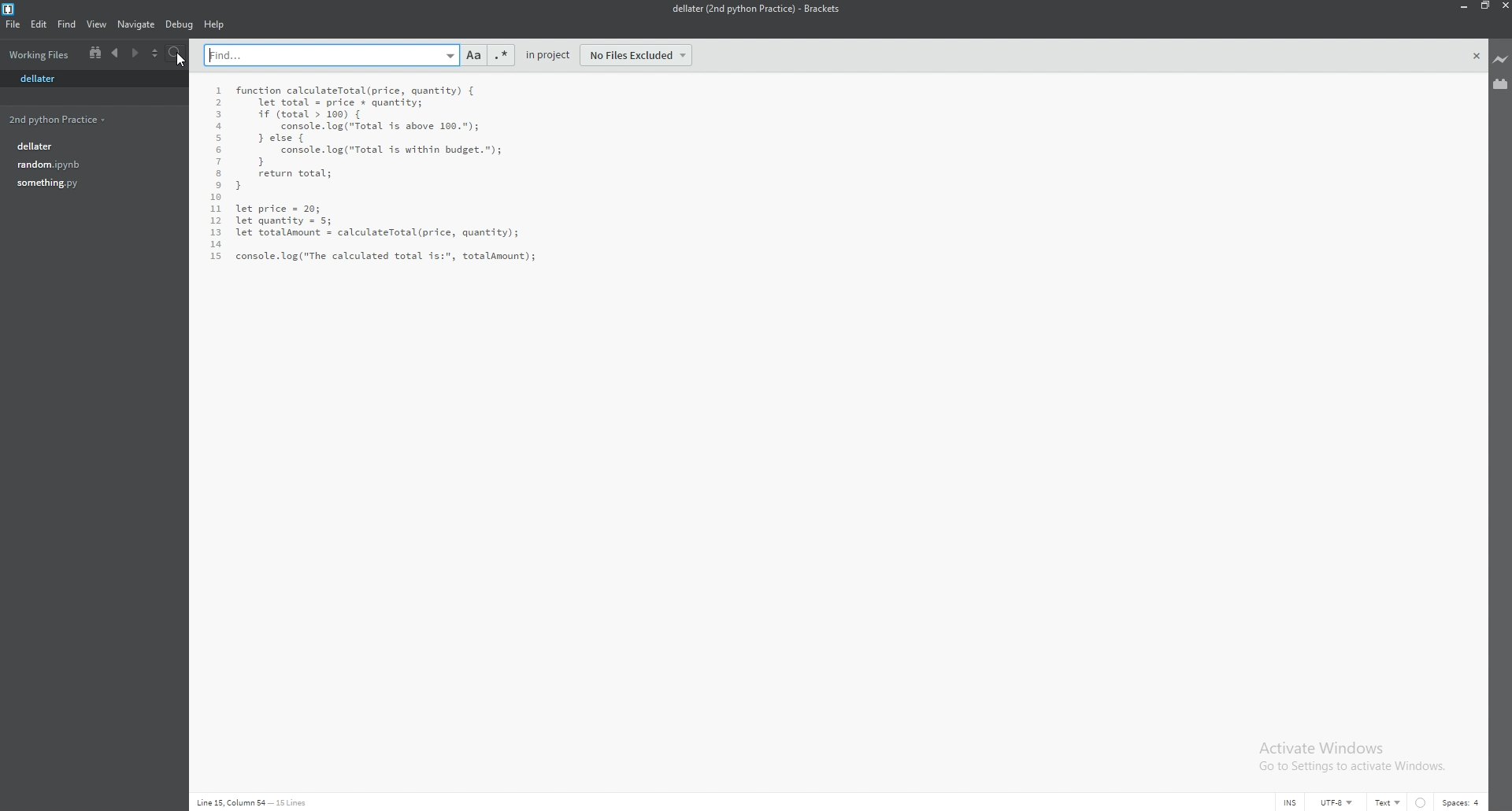 This screenshot has height=811, width=1512. What do you see at coordinates (155, 54) in the screenshot?
I see `select` at bounding box center [155, 54].